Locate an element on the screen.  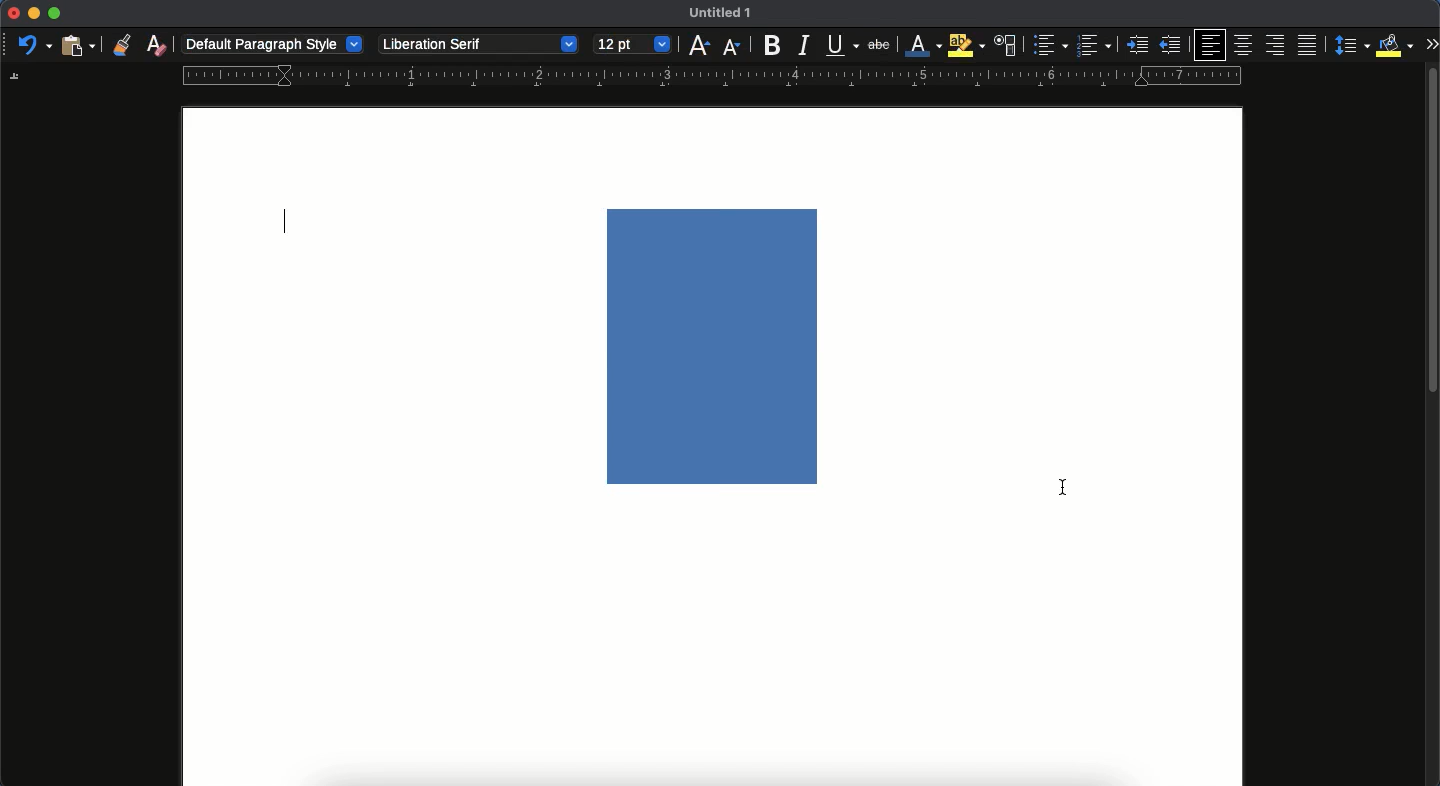
guide is located at coordinates (711, 76).